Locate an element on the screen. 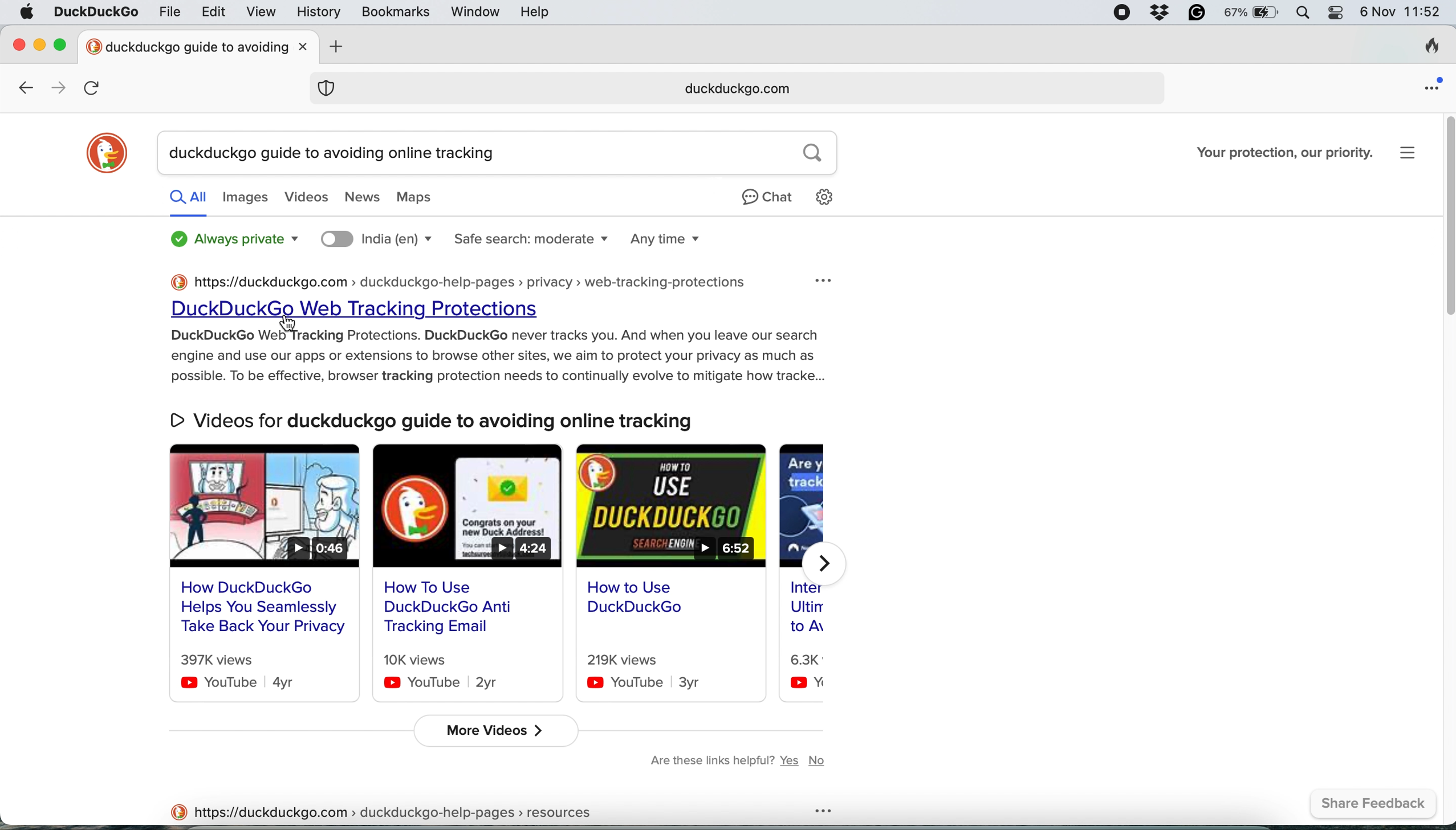  safe search is located at coordinates (528, 238).